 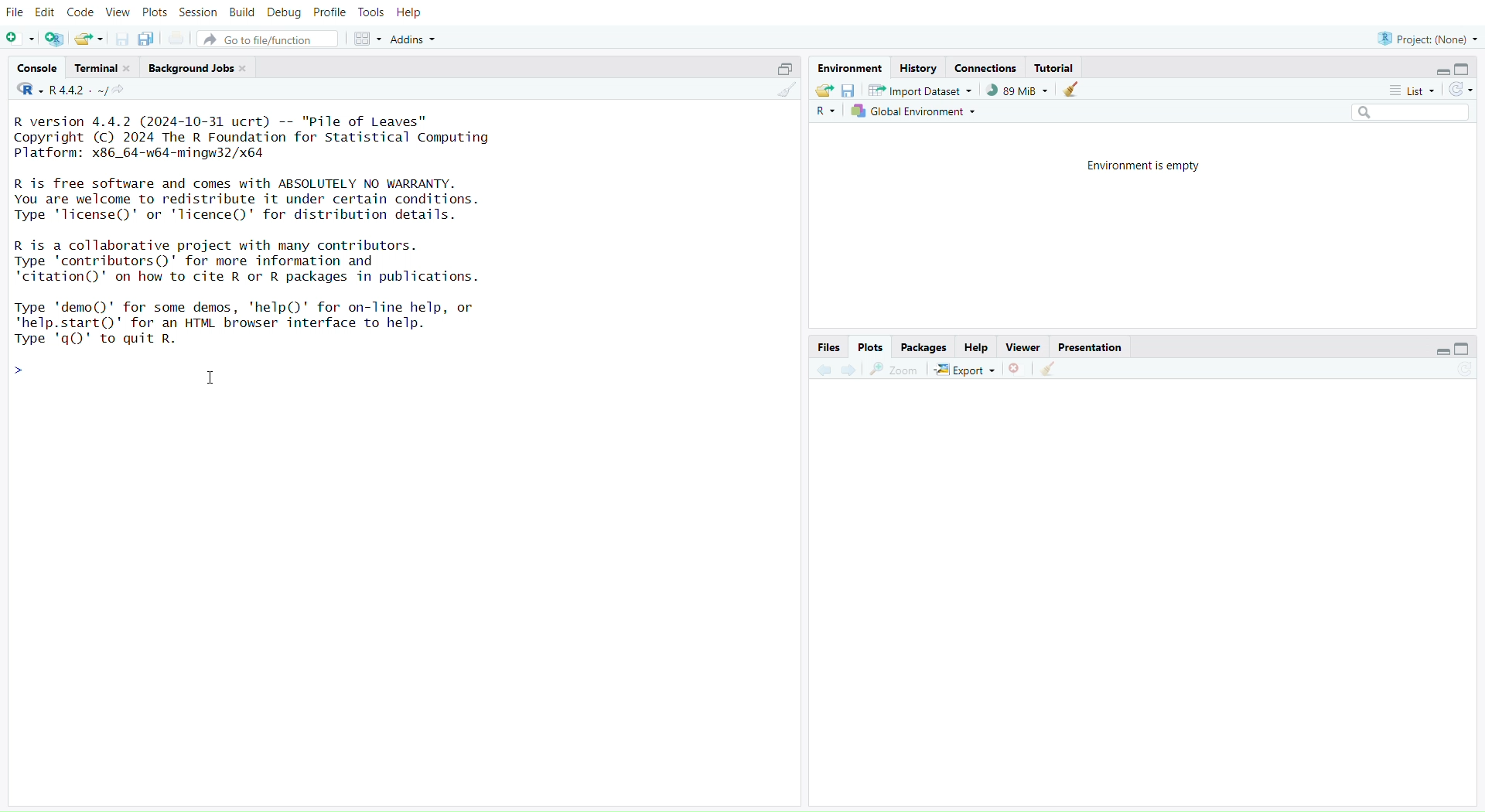 I want to click on Console, so click(x=37, y=69).